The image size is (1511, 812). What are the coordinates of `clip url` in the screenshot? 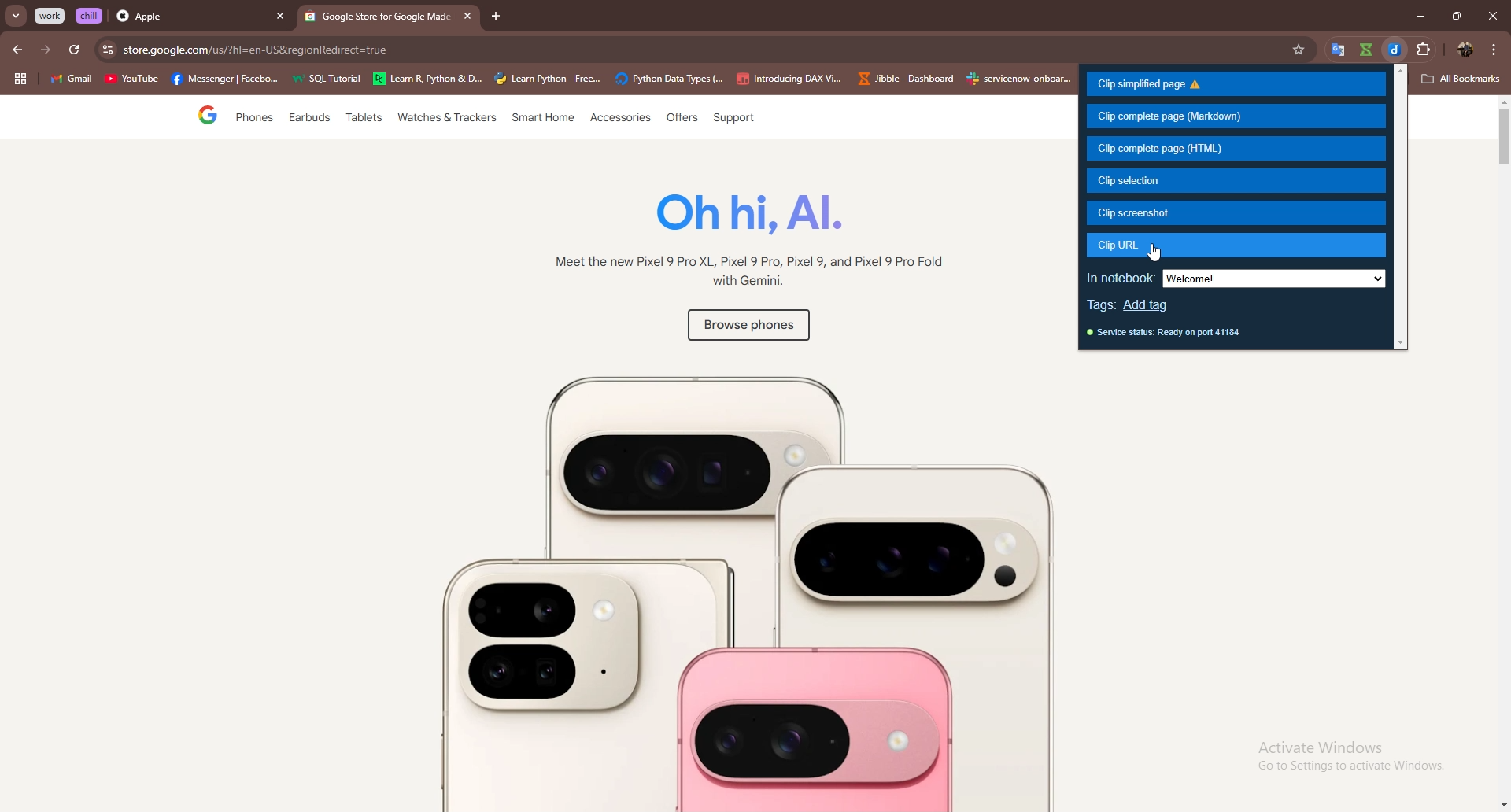 It's located at (1239, 245).